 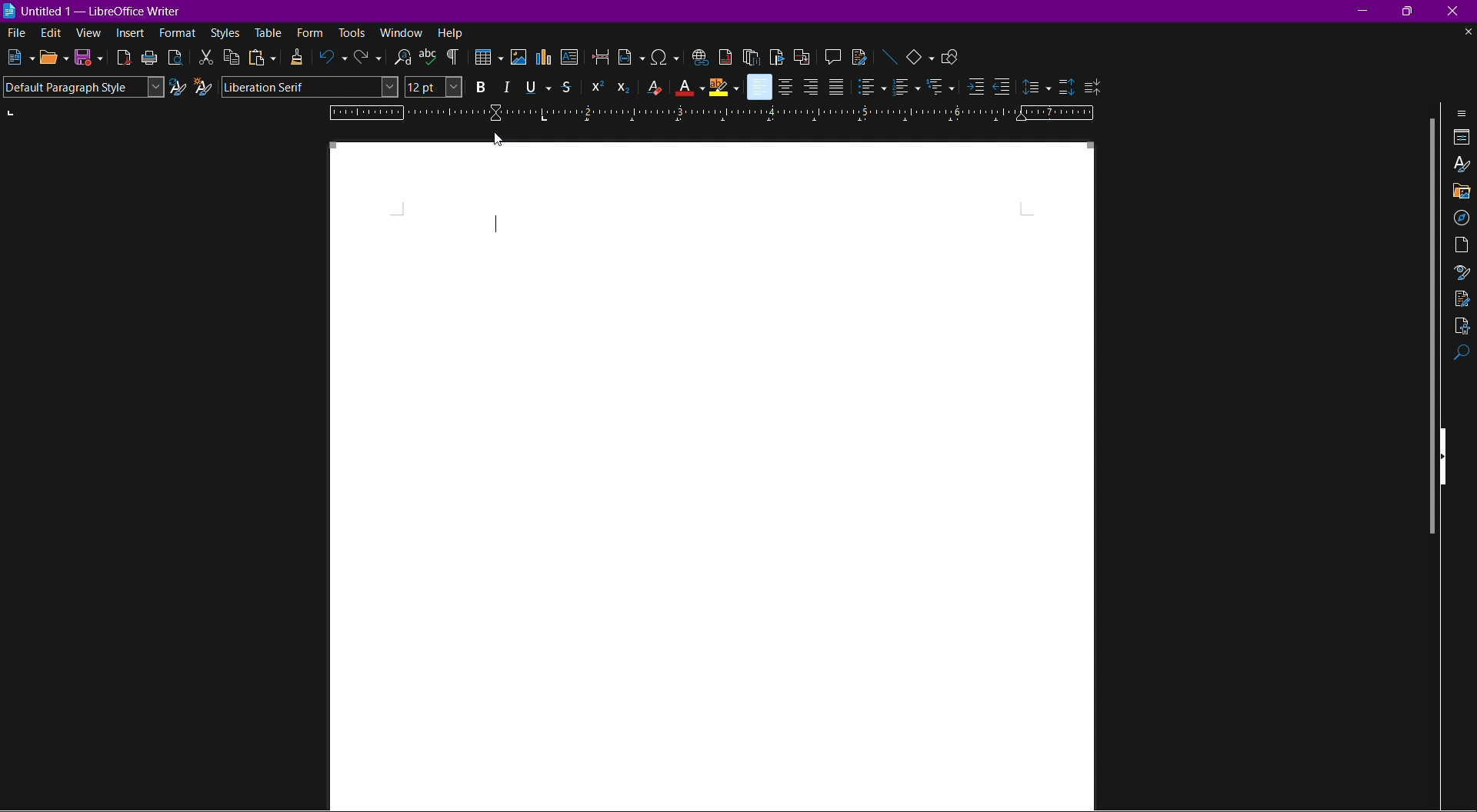 What do you see at coordinates (352, 33) in the screenshot?
I see `tools` at bounding box center [352, 33].